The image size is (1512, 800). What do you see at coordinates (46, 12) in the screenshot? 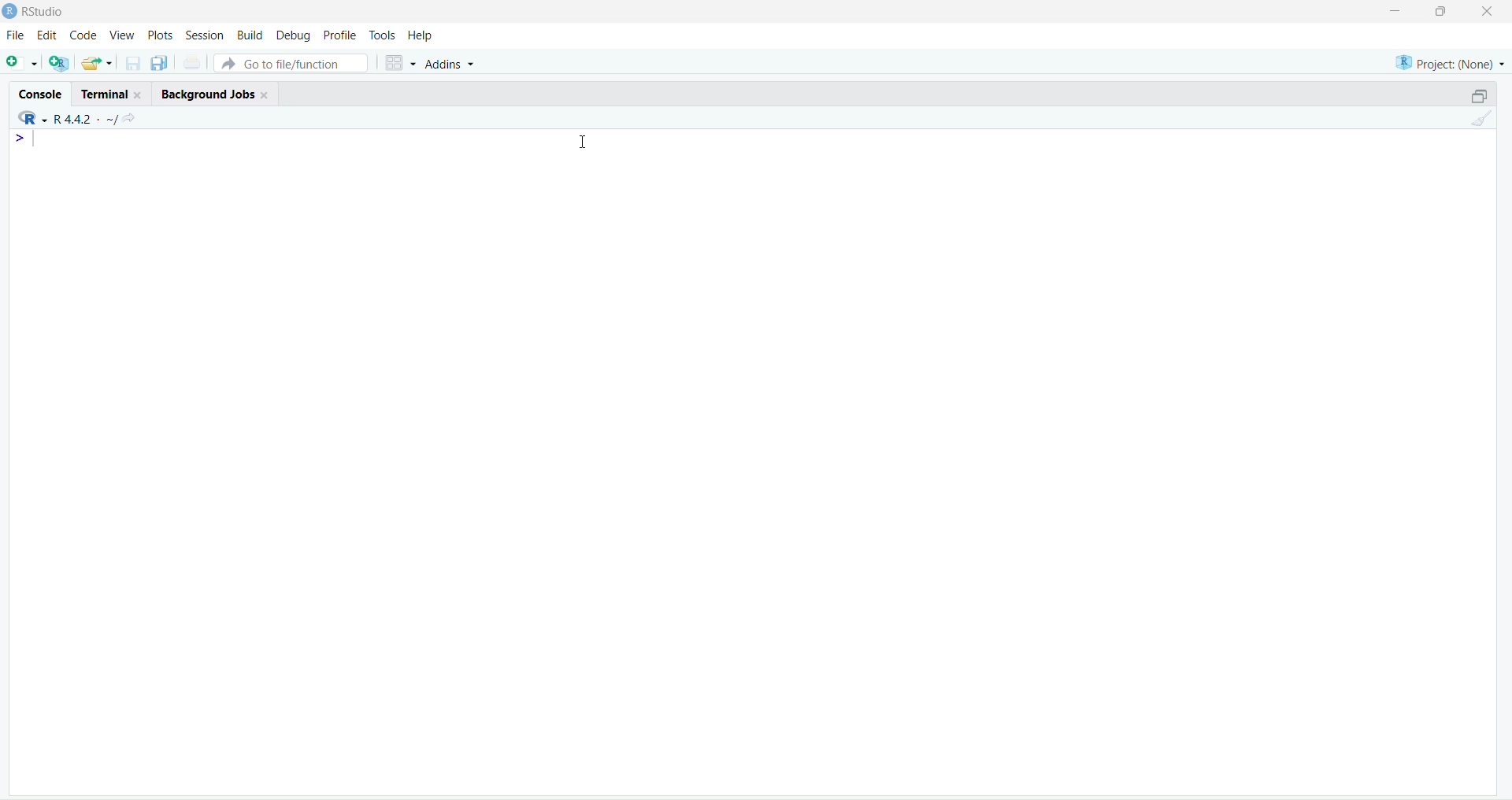
I see `RStudio` at bounding box center [46, 12].